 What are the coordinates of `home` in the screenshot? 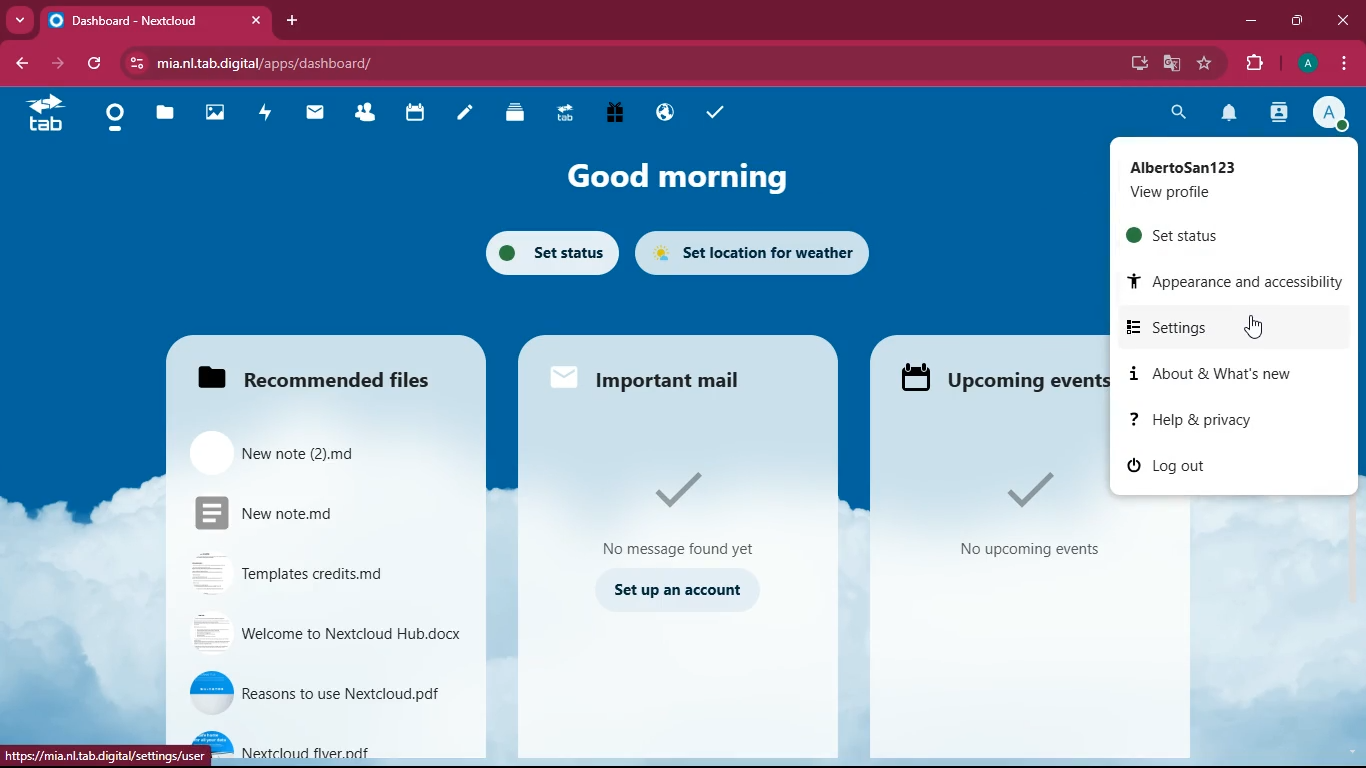 It's located at (44, 116).